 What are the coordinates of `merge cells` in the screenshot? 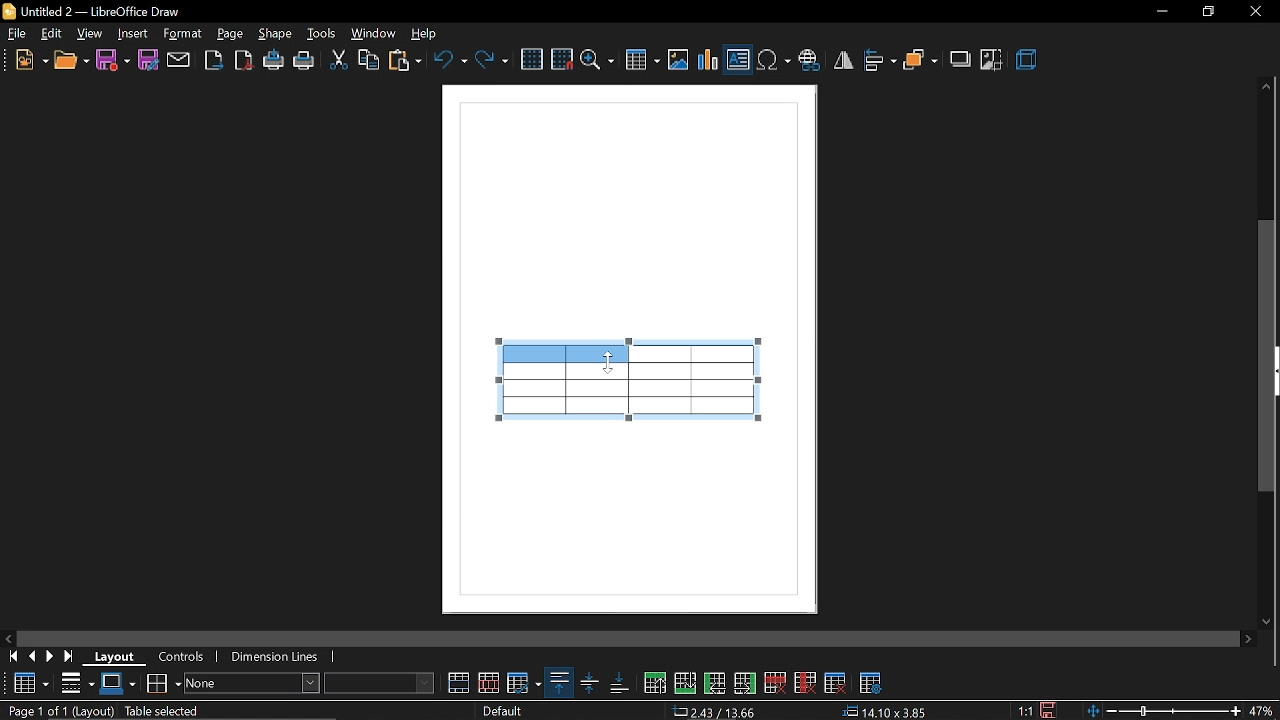 It's located at (458, 683).